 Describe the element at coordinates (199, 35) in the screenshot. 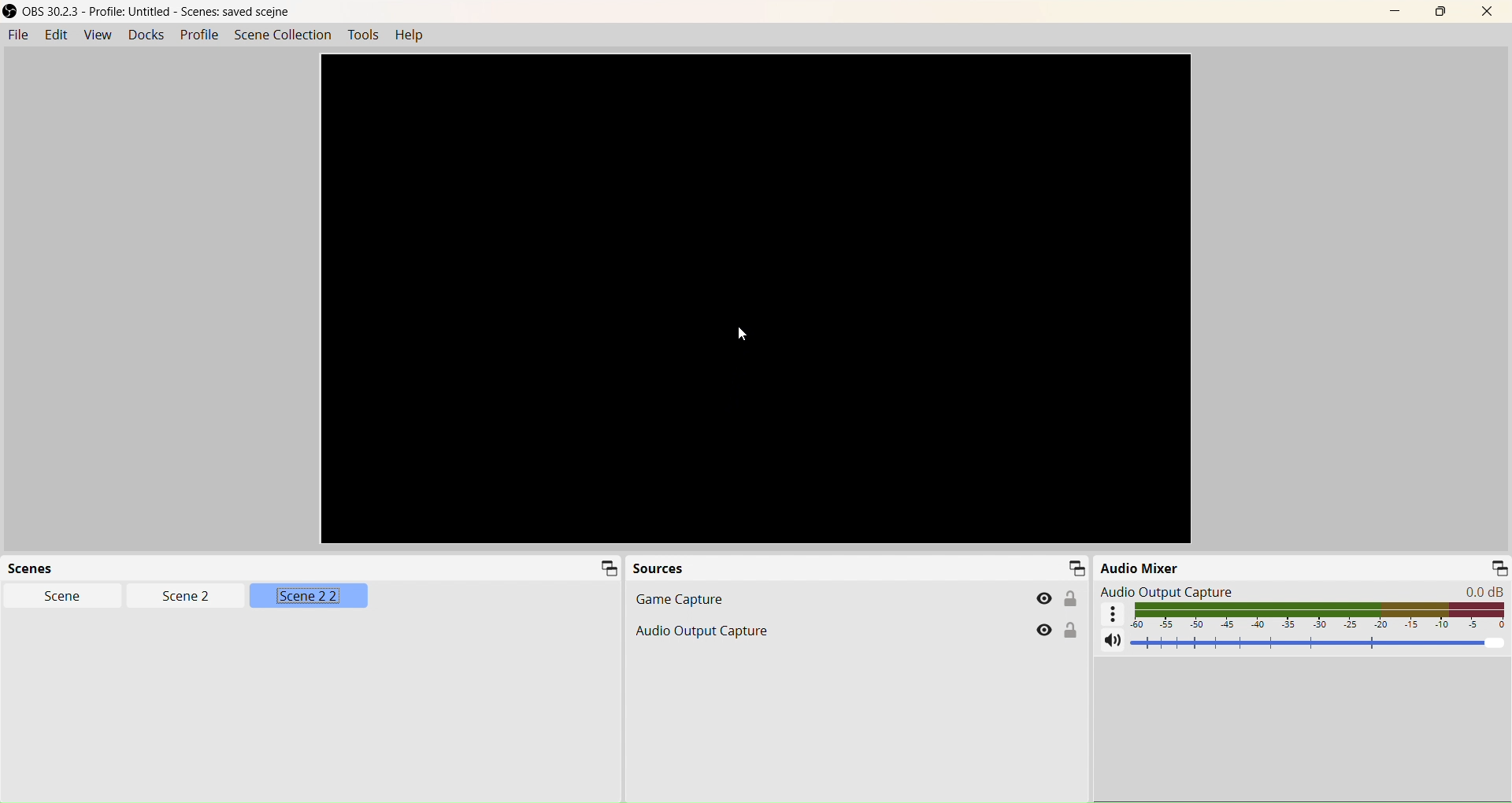

I see `Profile` at that location.